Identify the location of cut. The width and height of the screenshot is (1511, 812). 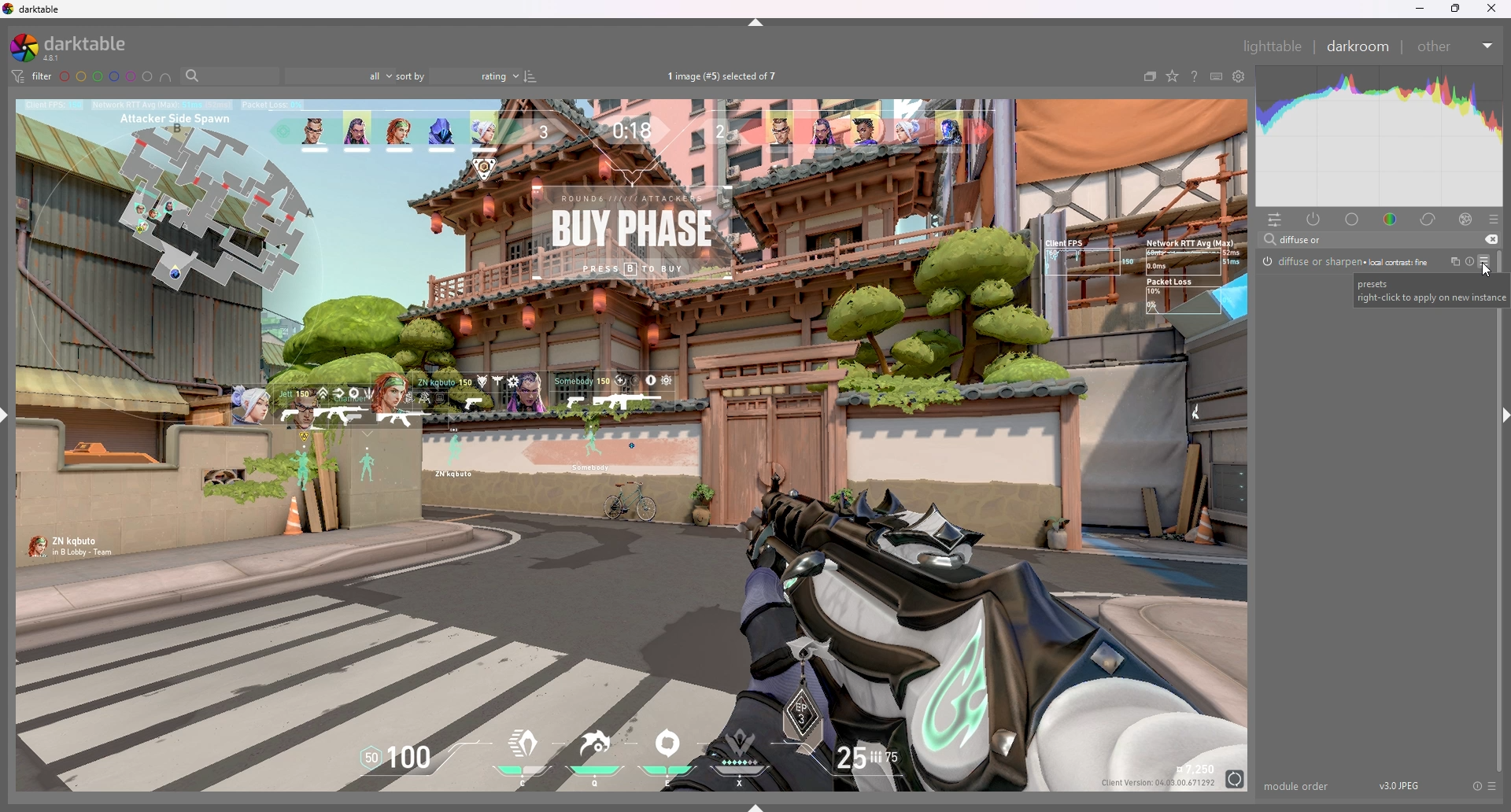
(1491, 239).